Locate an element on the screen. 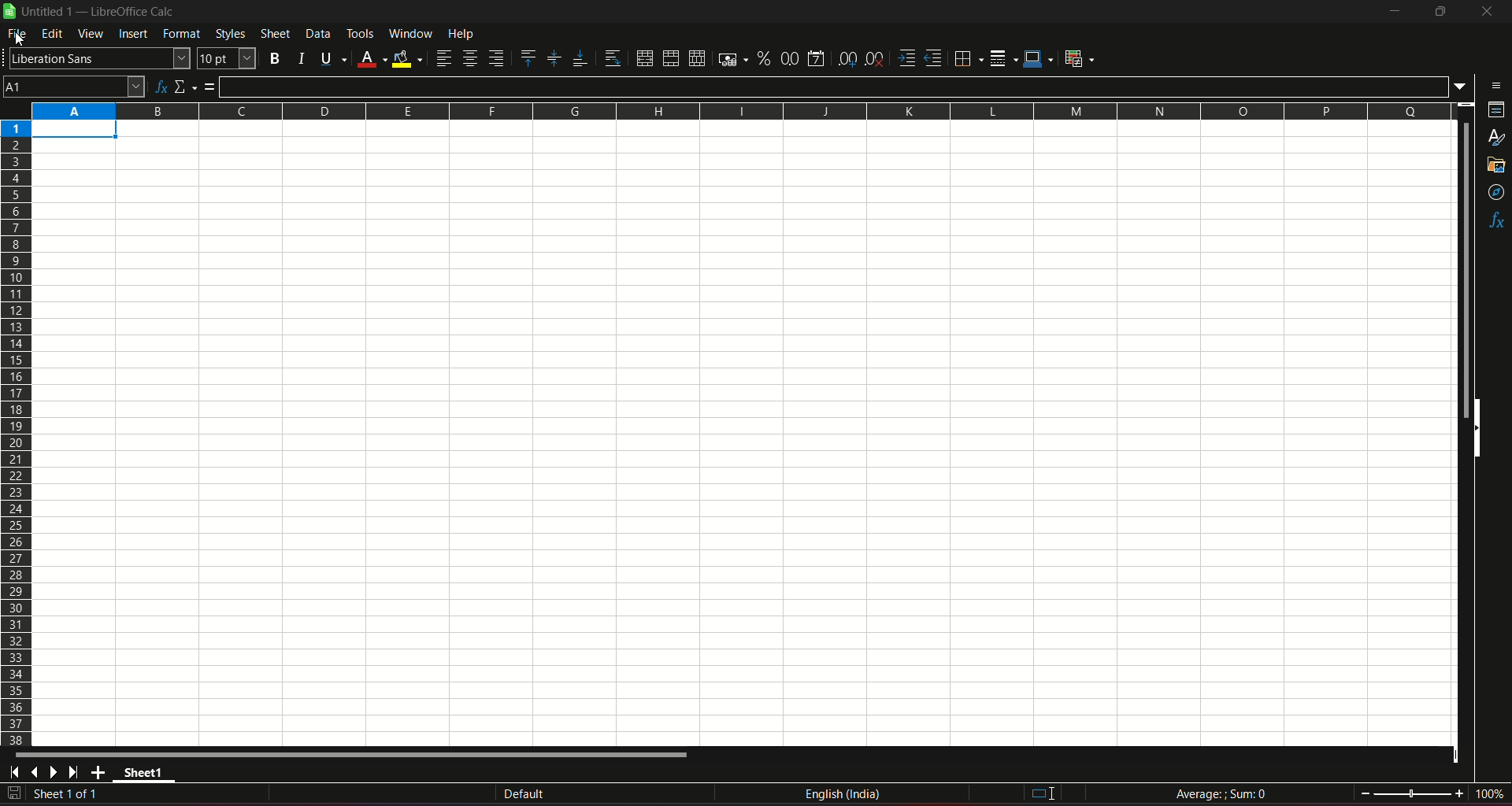 Image resolution: width=1512 pixels, height=806 pixels. minimize is located at coordinates (1393, 12).